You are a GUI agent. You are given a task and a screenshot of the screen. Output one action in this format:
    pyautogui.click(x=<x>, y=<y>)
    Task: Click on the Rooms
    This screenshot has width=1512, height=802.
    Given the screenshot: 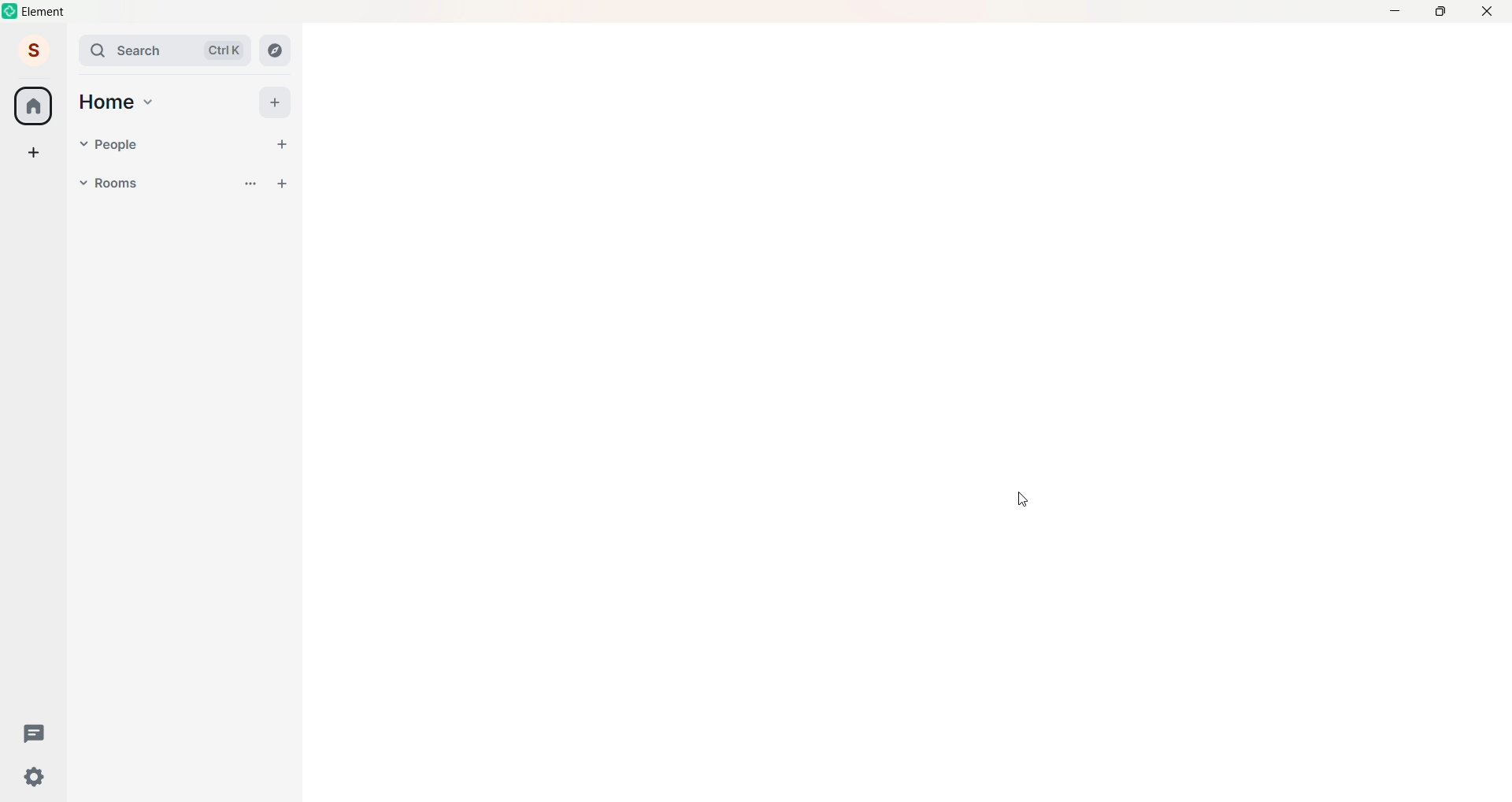 What is the action you would take?
    pyautogui.click(x=121, y=183)
    